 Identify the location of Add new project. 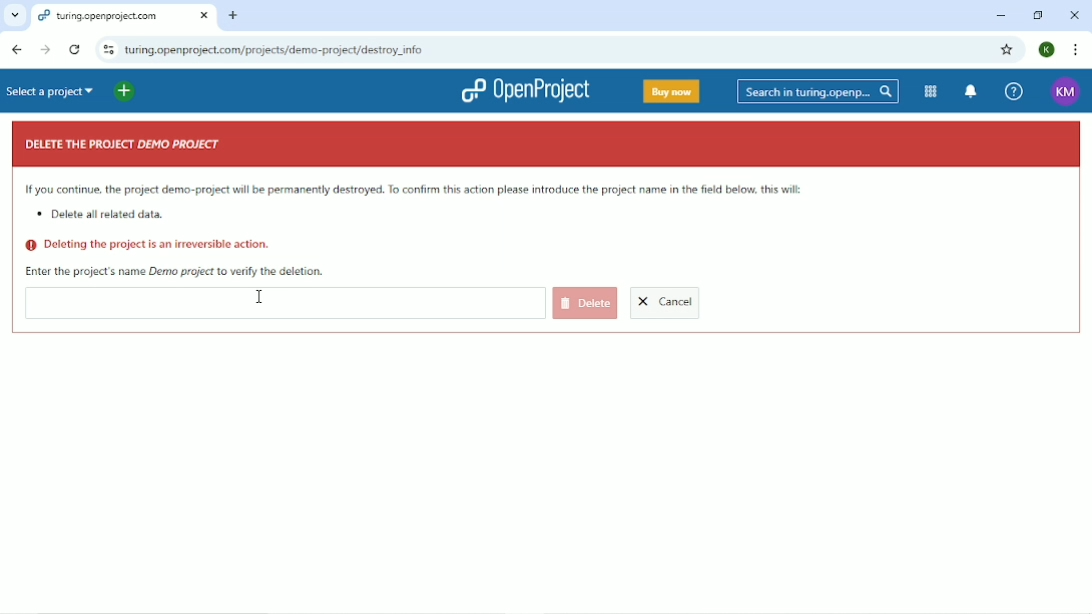
(124, 91).